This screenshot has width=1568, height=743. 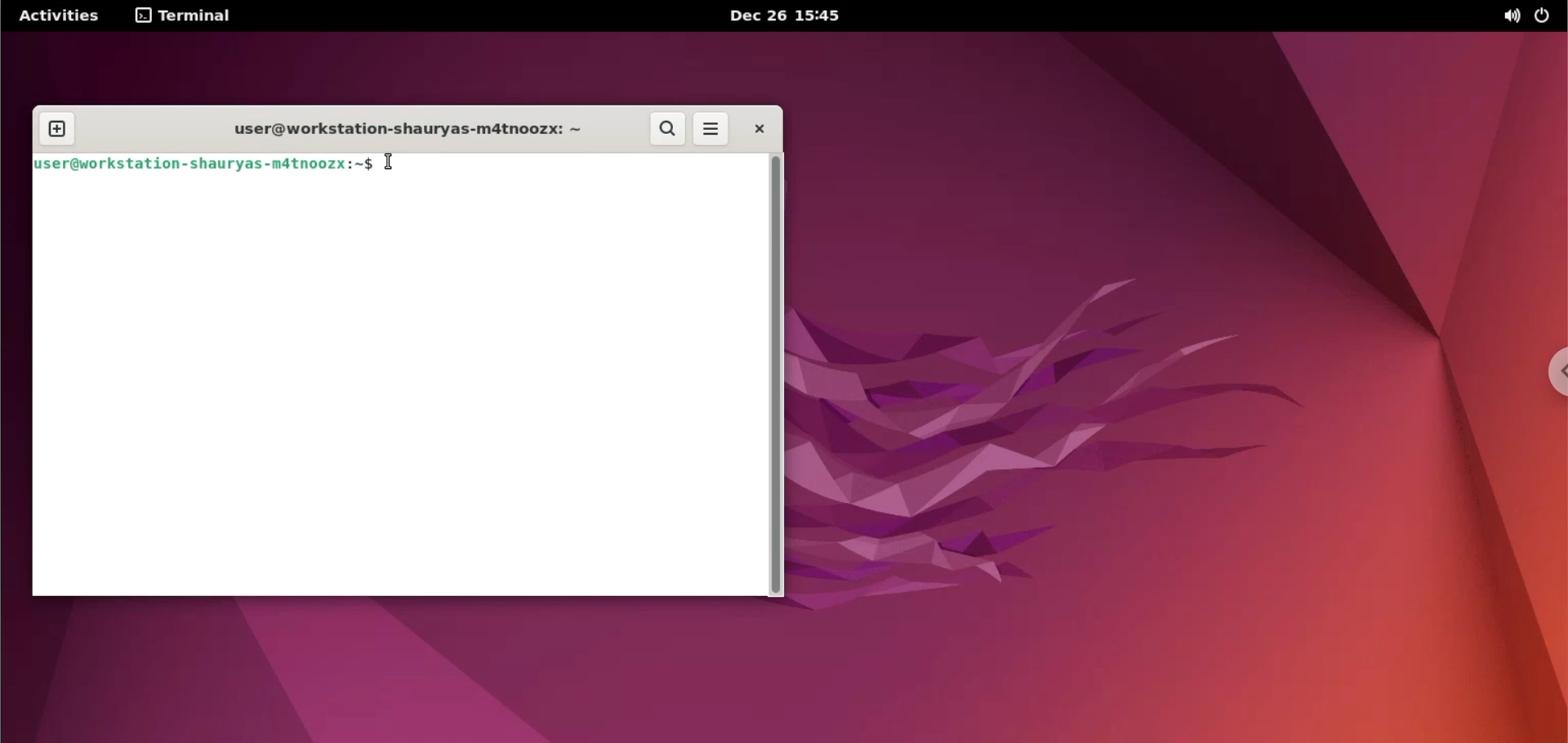 I want to click on search , so click(x=665, y=130).